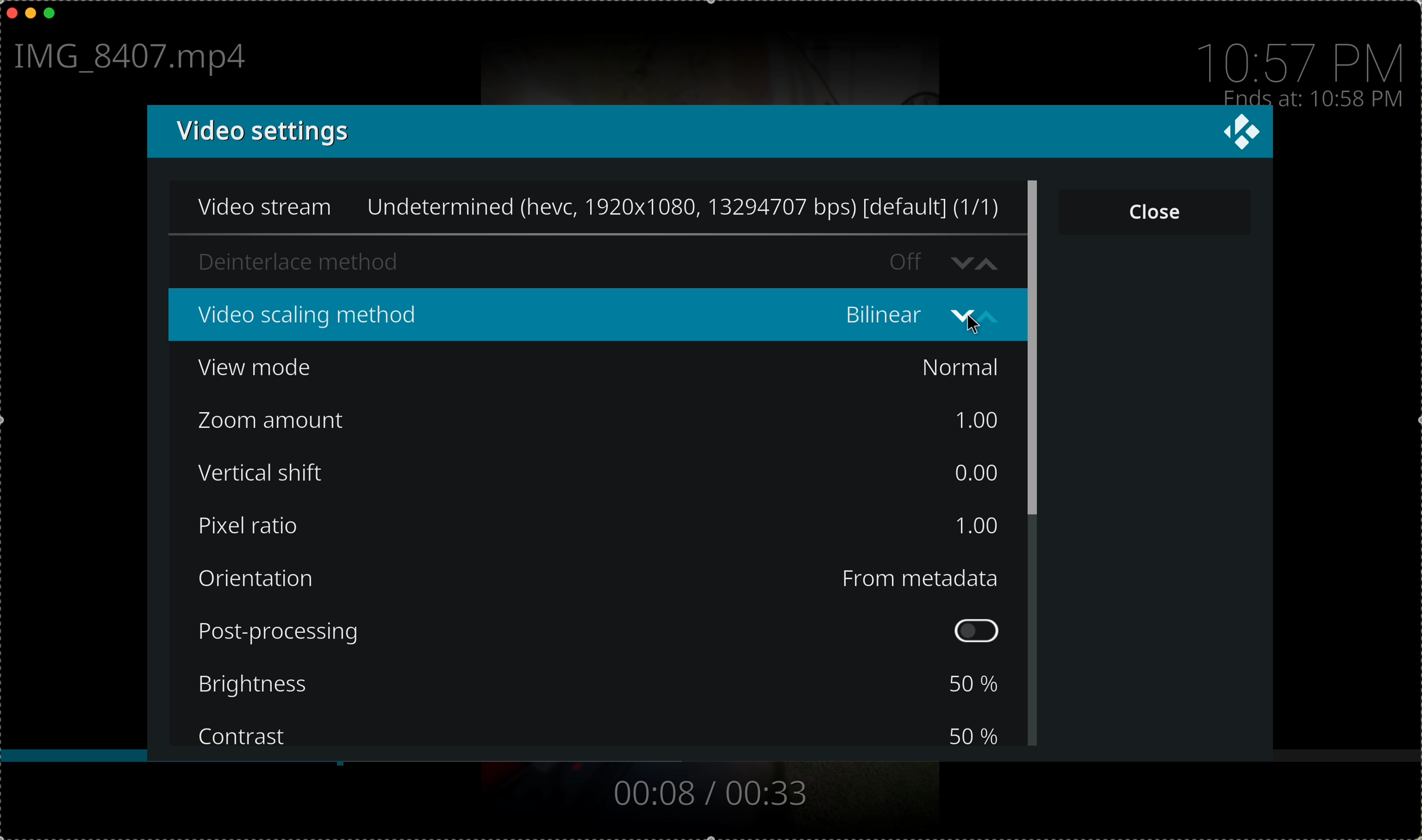  I want to click on ends at 10:58 PM, so click(1313, 97).